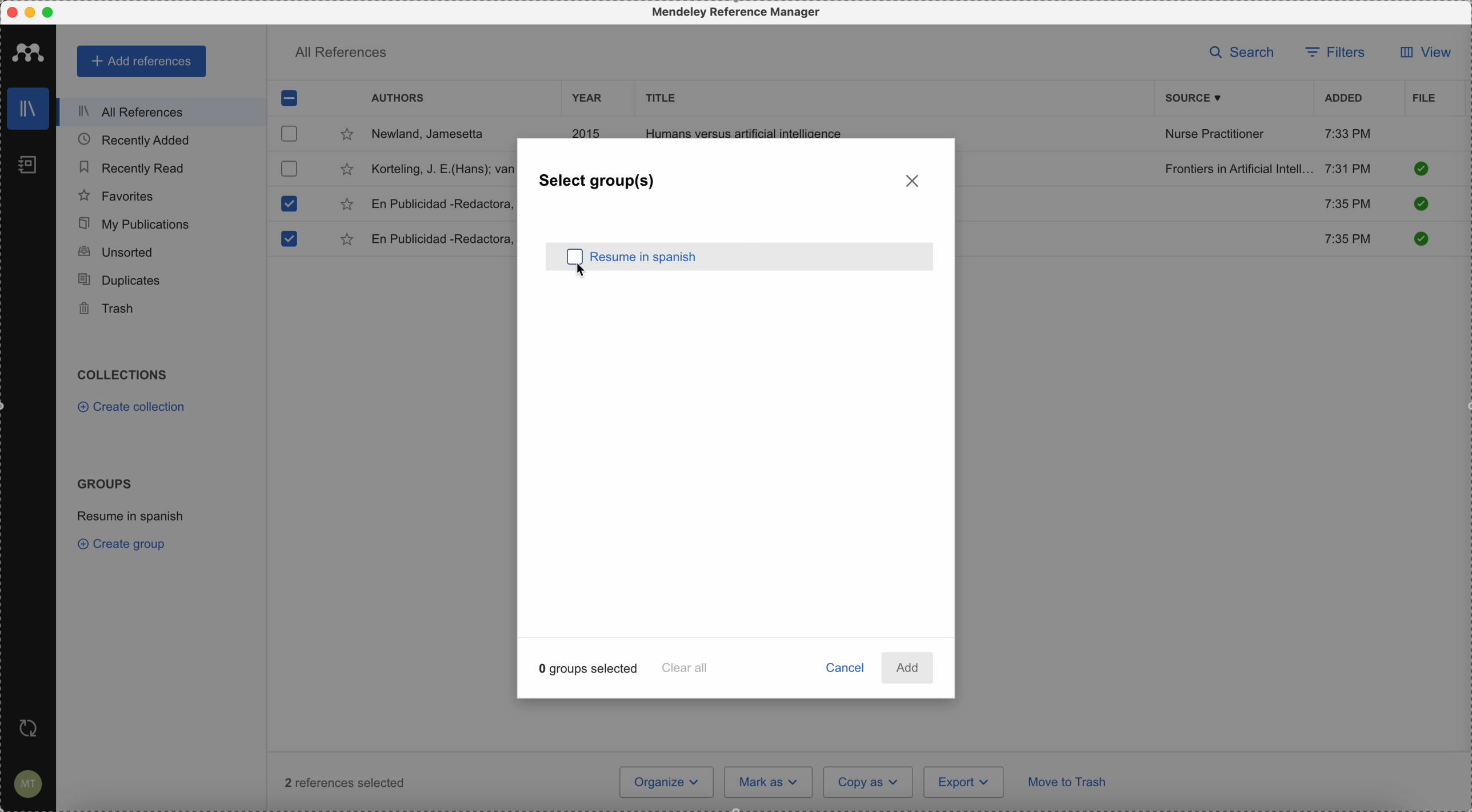 The height and width of the screenshot is (812, 1472). What do you see at coordinates (658, 97) in the screenshot?
I see `title` at bounding box center [658, 97].